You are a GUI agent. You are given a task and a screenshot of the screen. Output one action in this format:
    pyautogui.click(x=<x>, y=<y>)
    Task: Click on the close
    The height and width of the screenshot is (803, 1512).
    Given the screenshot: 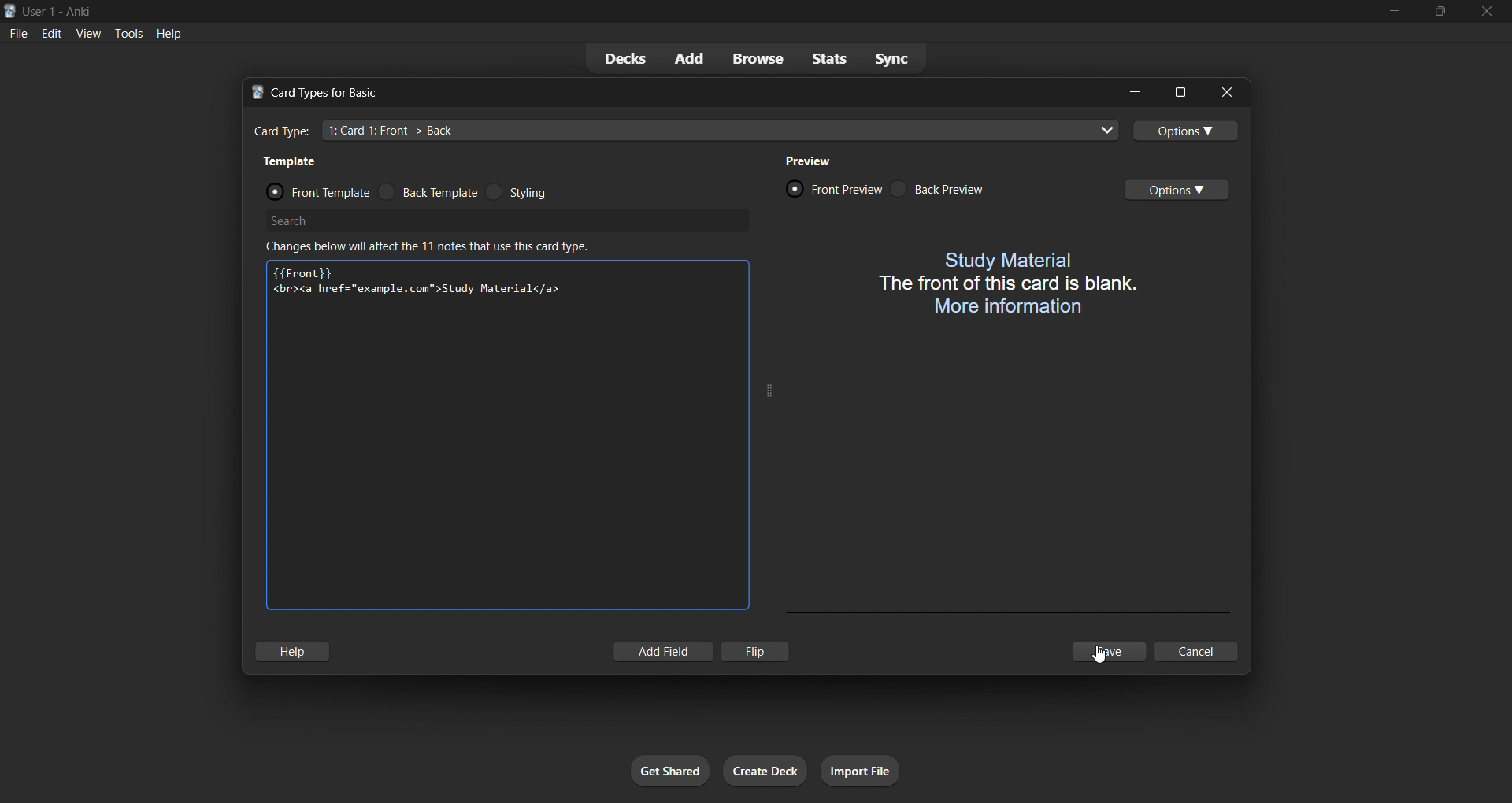 What is the action you would take?
    pyautogui.click(x=1223, y=92)
    